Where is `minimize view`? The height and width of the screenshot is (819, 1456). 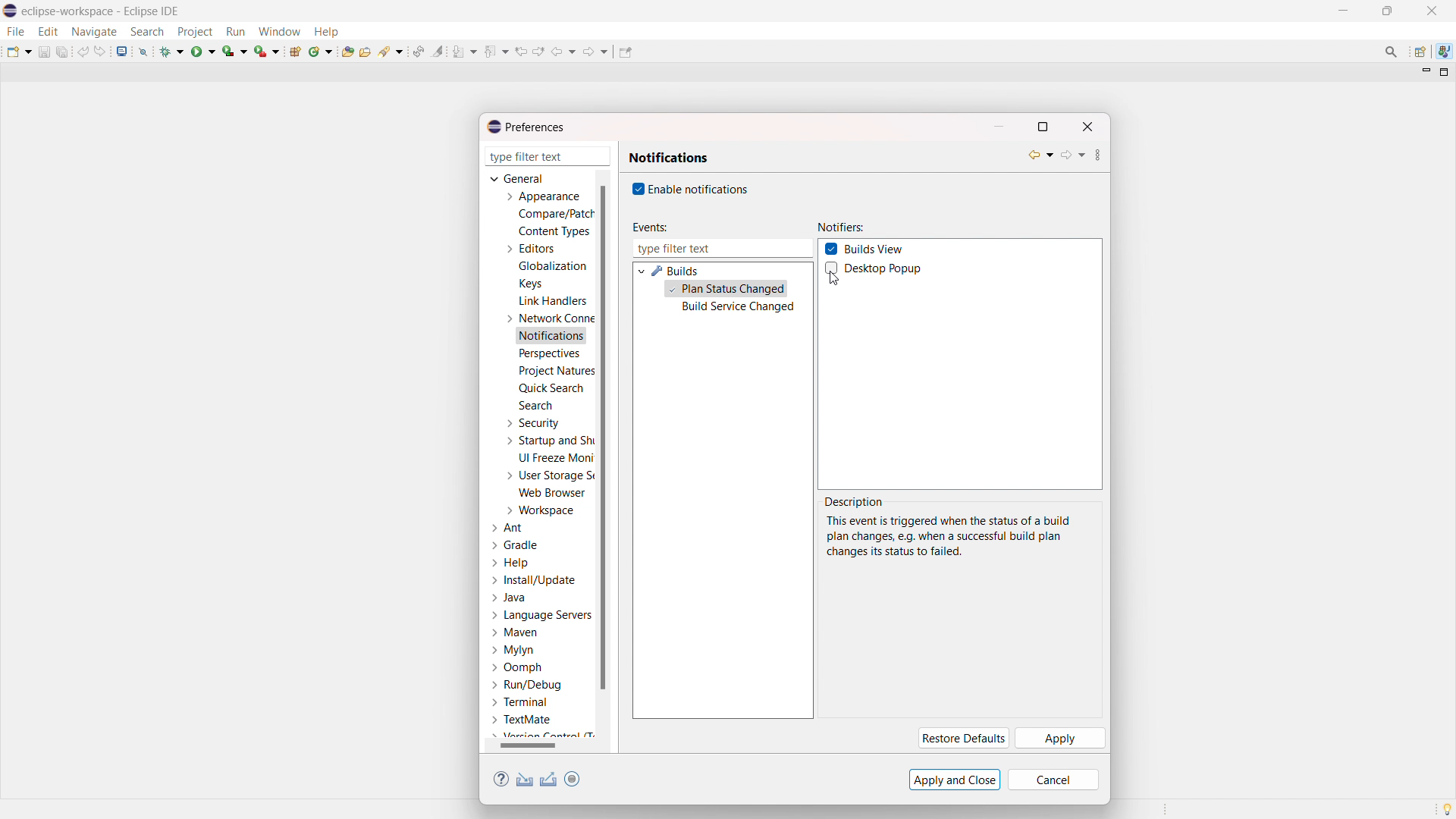
minimize view is located at coordinates (1424, 71).